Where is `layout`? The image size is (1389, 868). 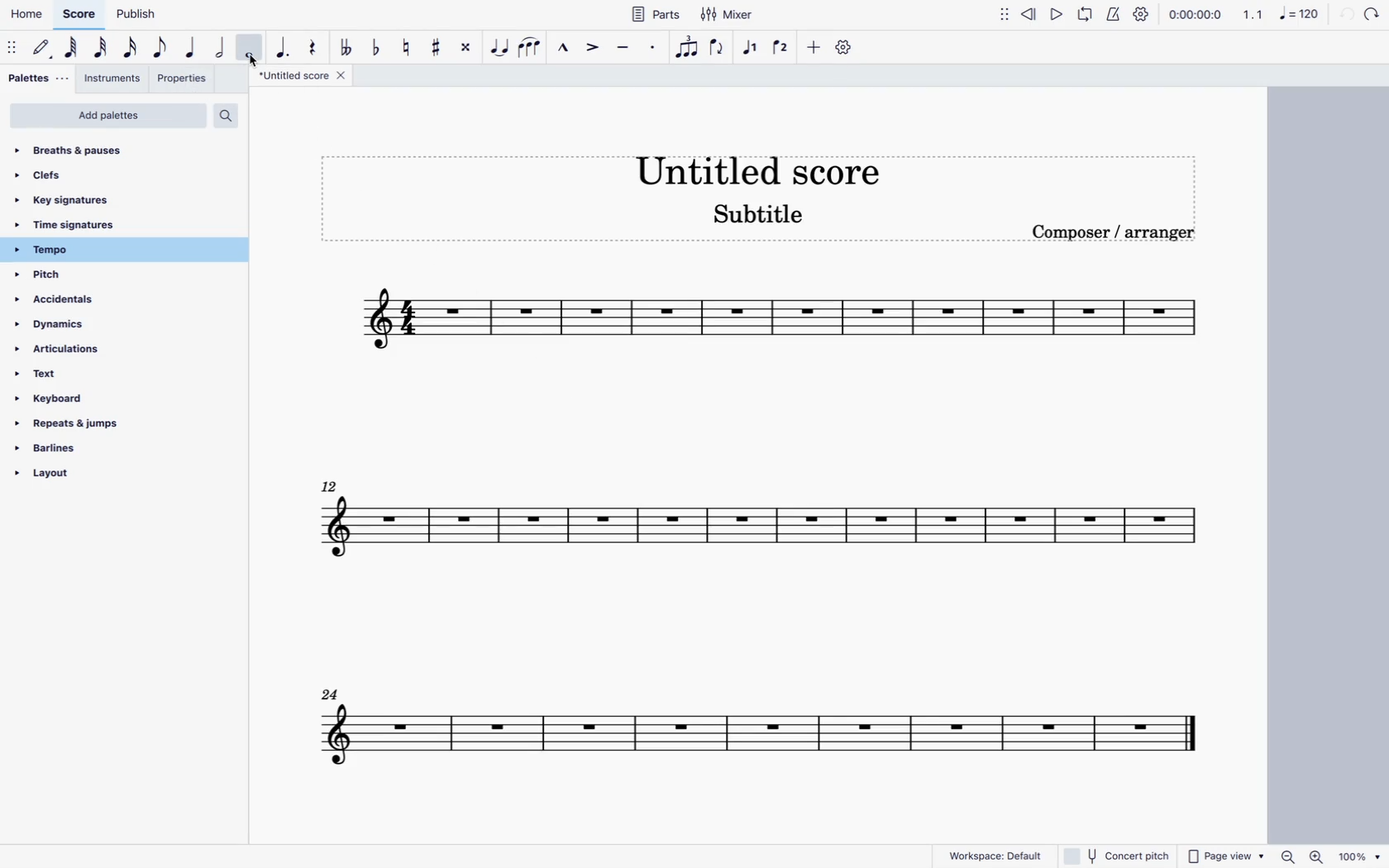 layout is located at coordinates (93, 477).